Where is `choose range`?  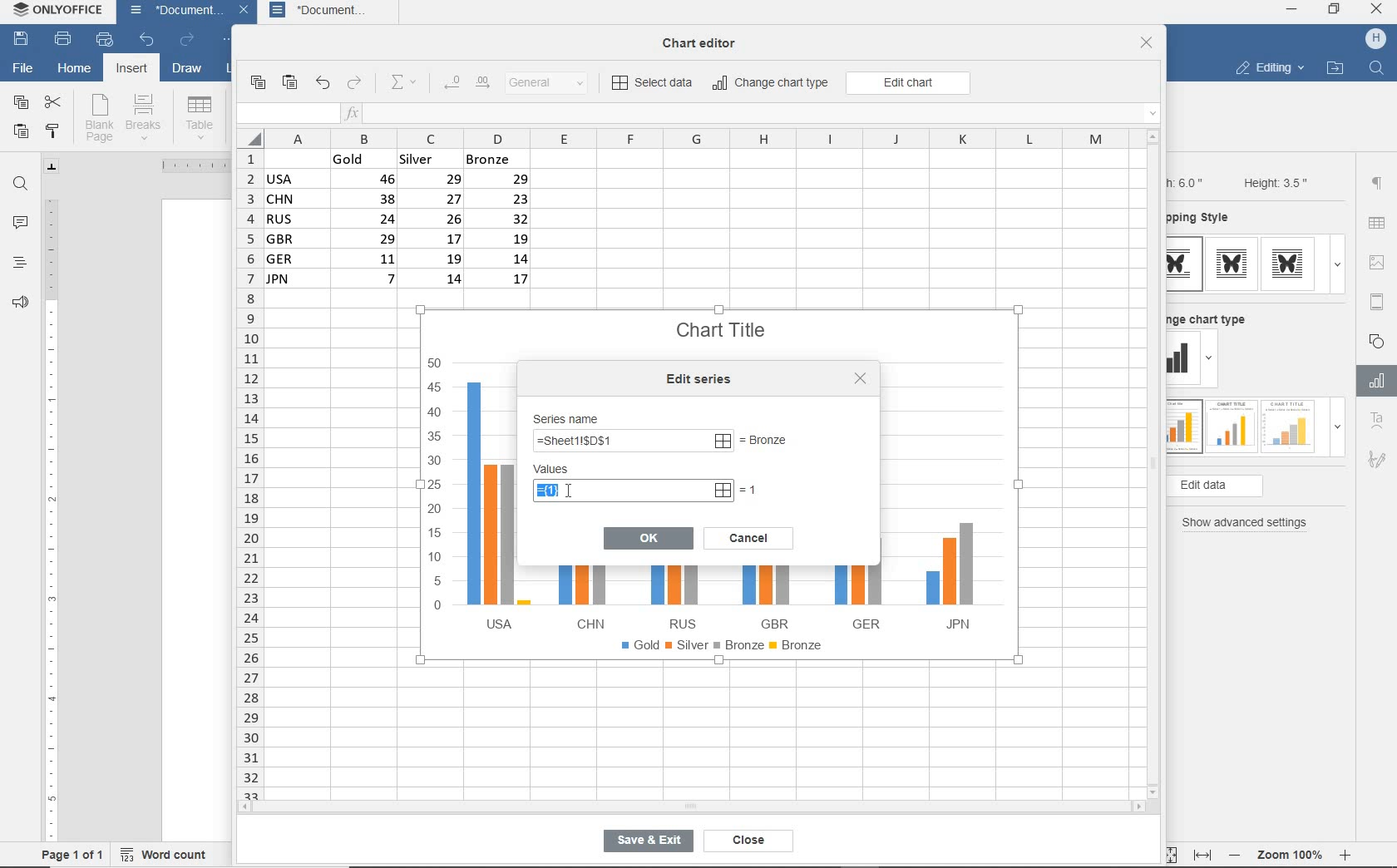
choose range is located at coordinates (776, 440).